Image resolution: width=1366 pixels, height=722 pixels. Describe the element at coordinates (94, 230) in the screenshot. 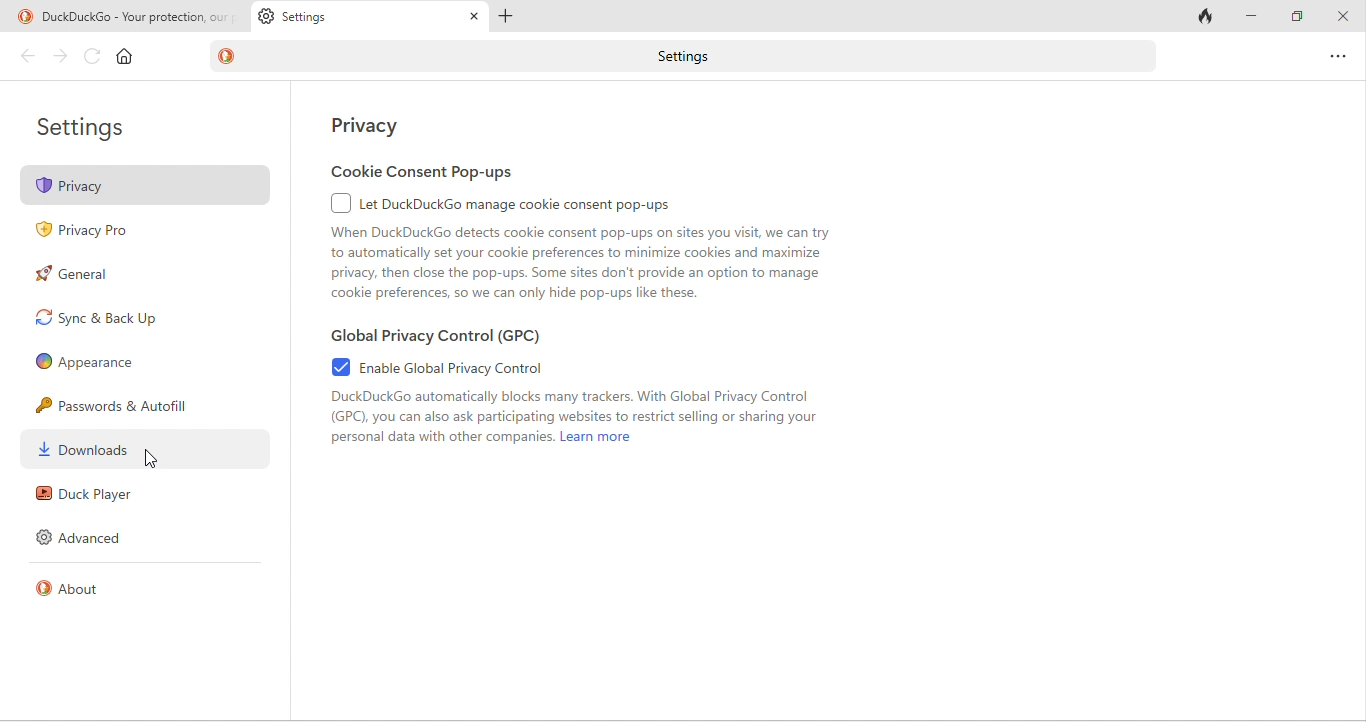

I see `privacy pro` at that location.